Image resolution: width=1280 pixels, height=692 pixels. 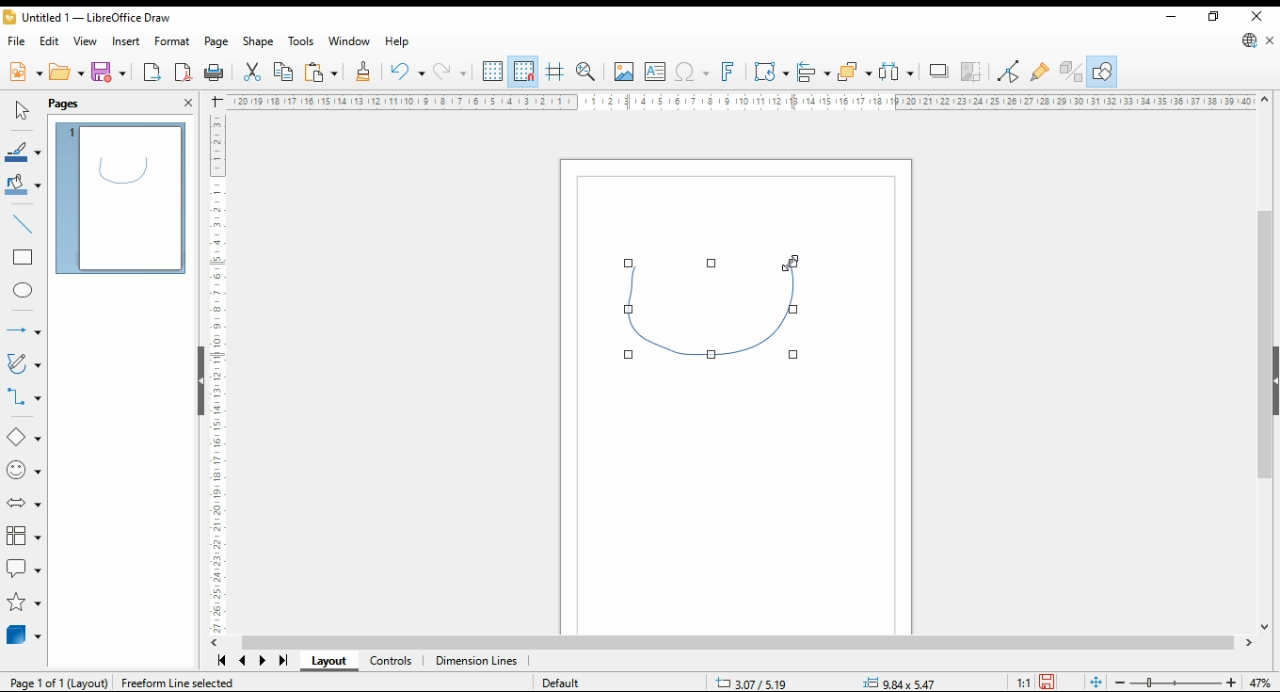 What do you see at coordinates (492, 71) in the screenshot?
I see `show grids` at bounding box center [492, 71].